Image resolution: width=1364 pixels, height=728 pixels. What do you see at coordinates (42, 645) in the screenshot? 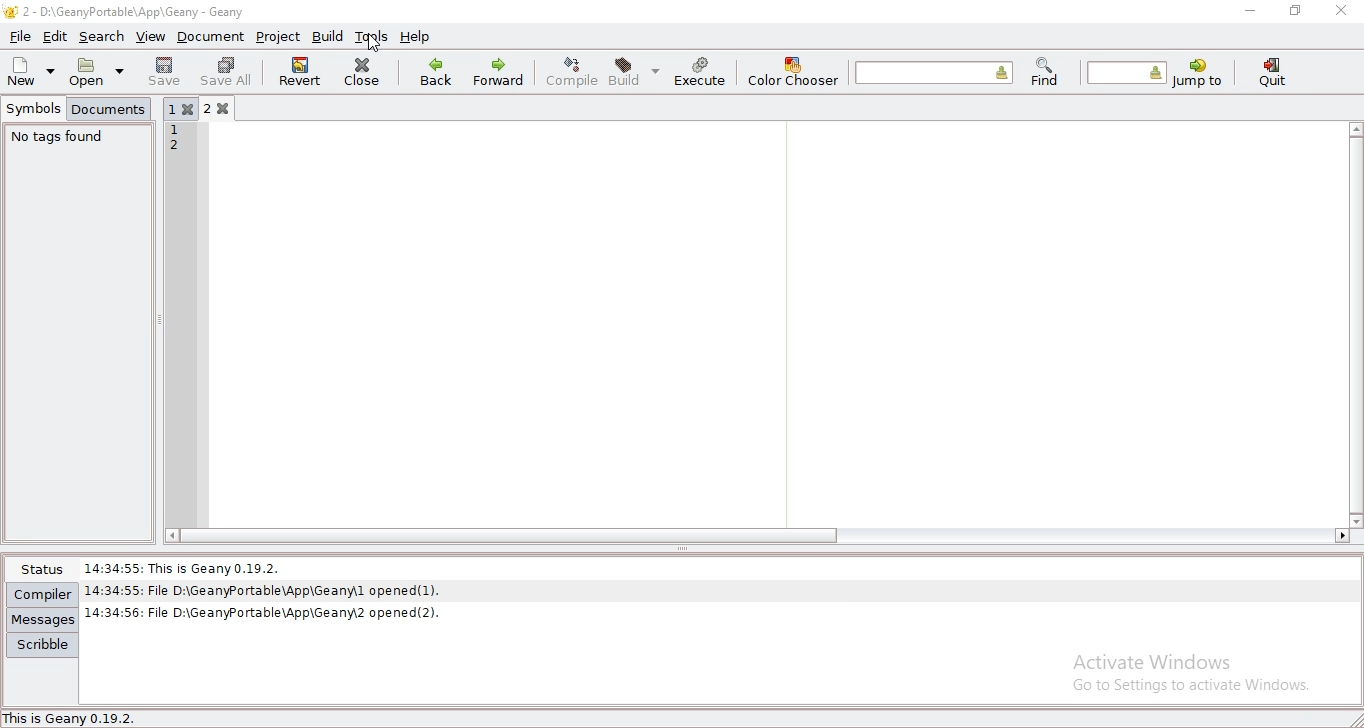
I see `scribble` at bounding box center [42, 645].